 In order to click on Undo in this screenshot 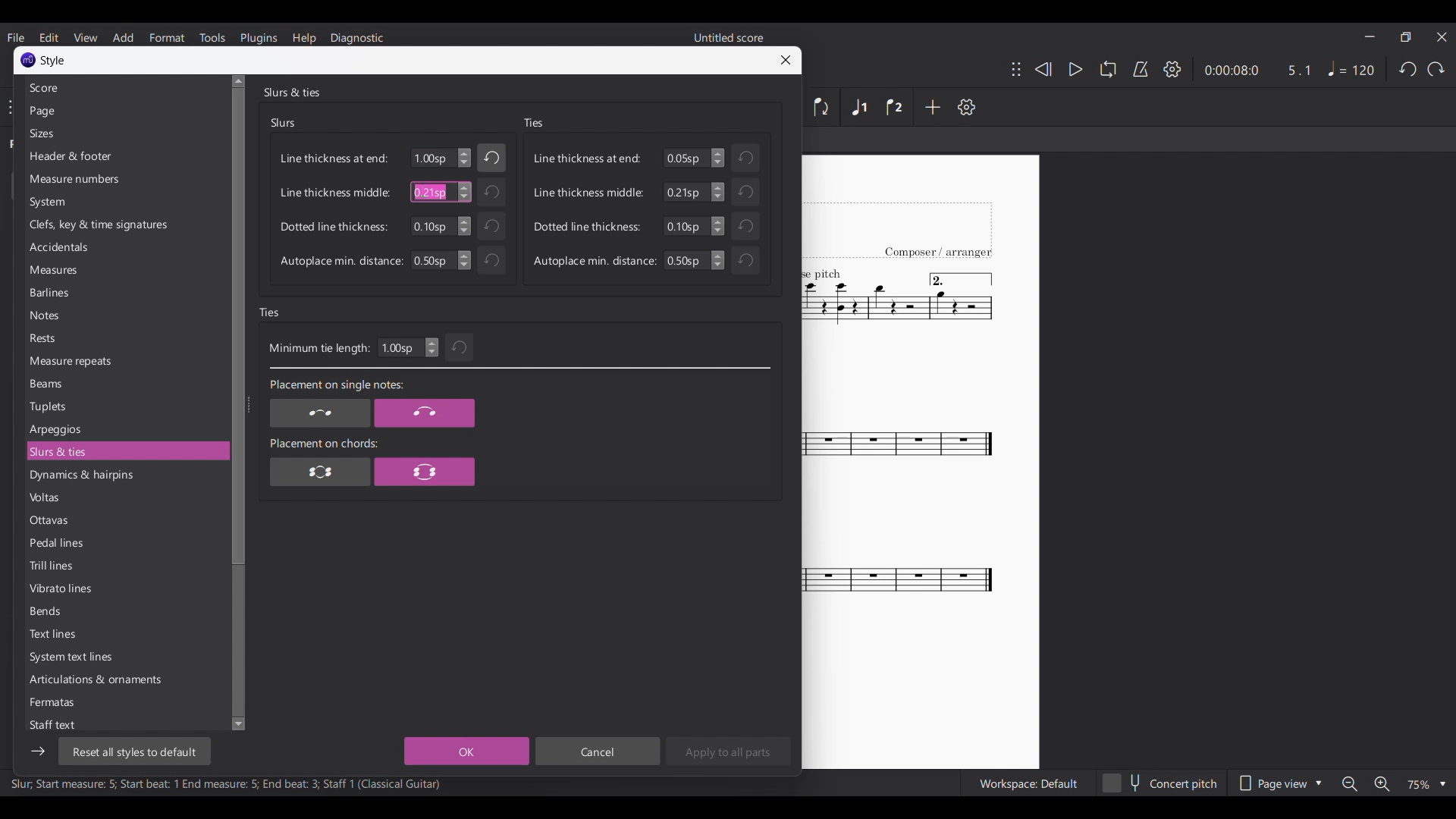, I will do `click(745, 191)`.